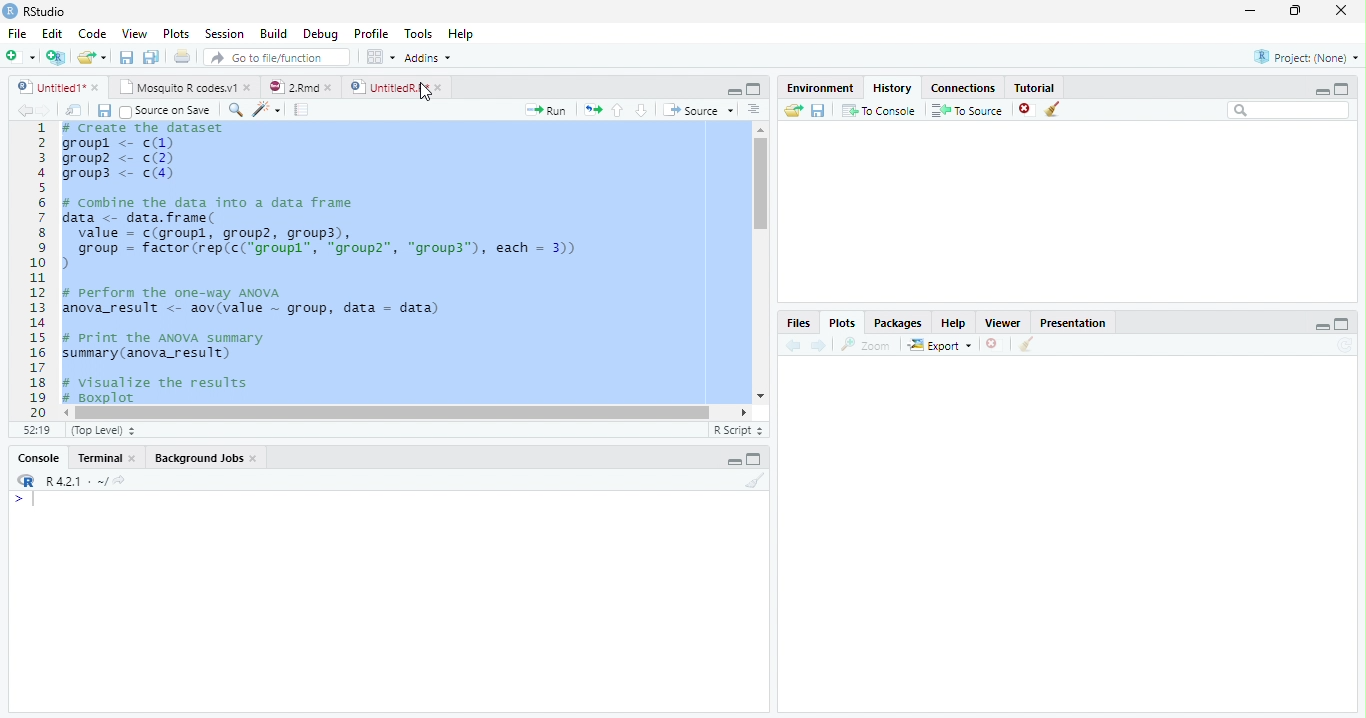 The width and height of the screenshot is (1366, 718). Describe the element at coordinates (108, 112) in the screenshot. I see `Save all` at that location.